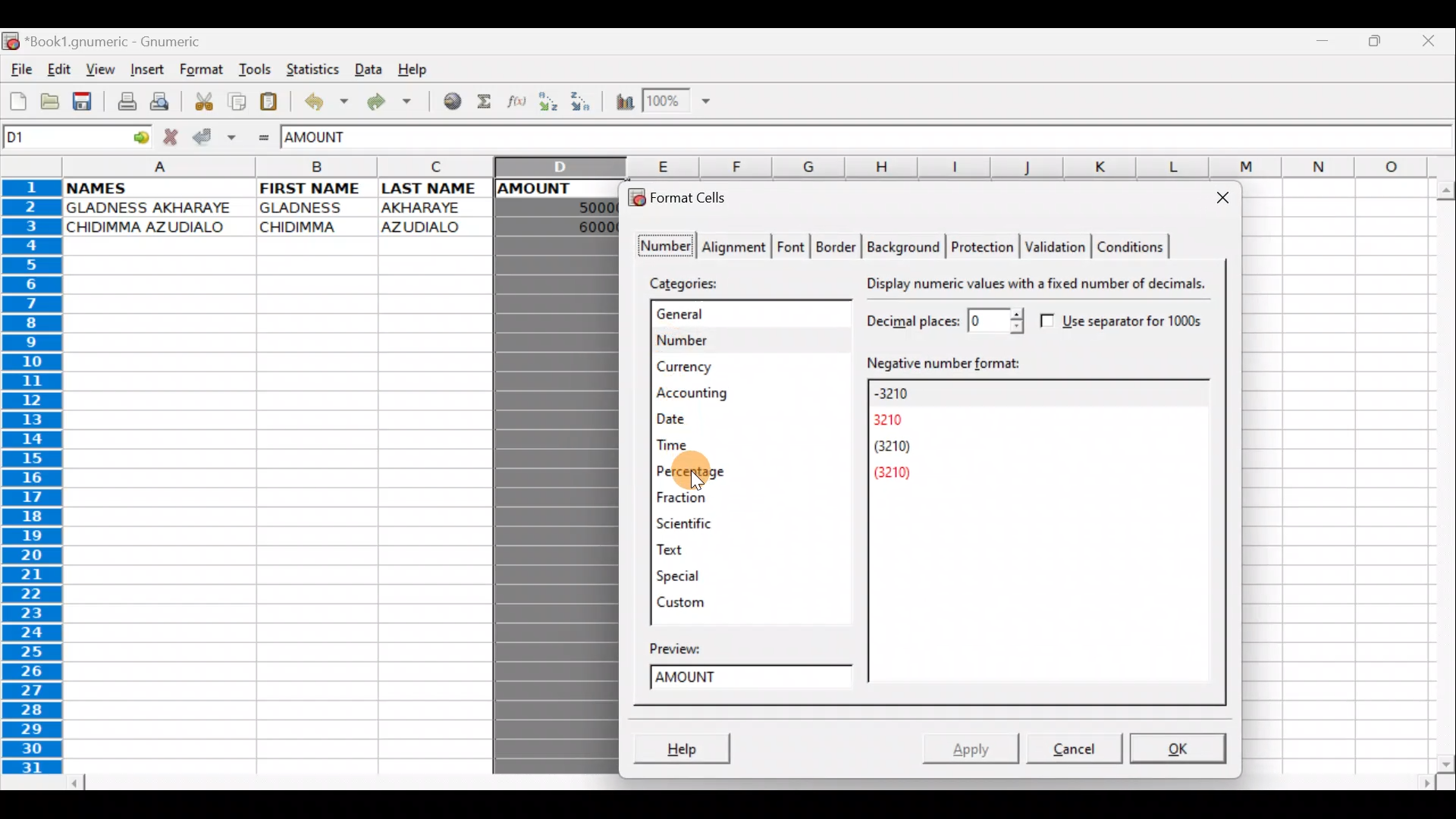  Describe the element at coordinates (201, 72) in the screenshot. I see `Format` at that location.